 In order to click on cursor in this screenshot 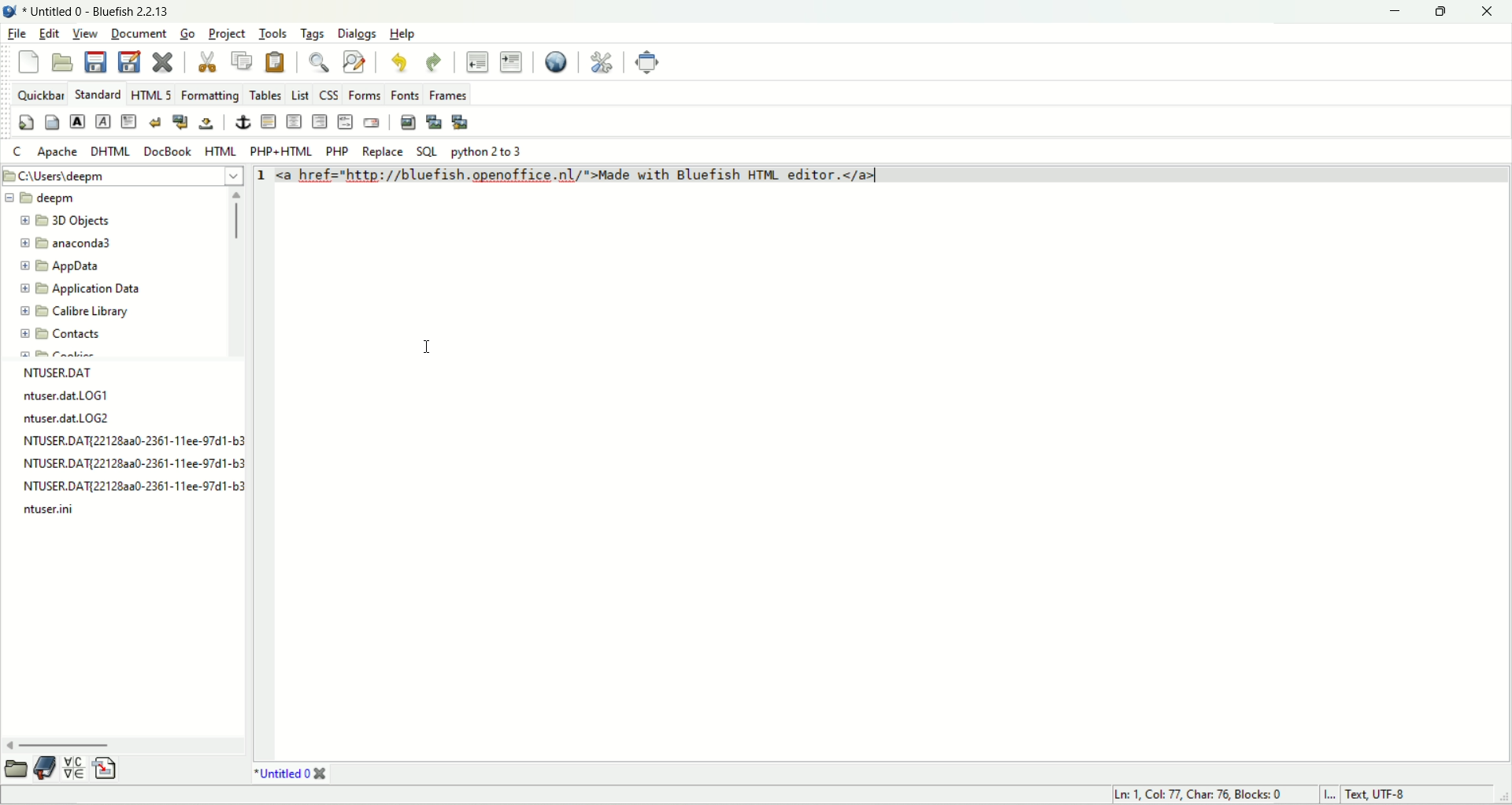, I will do `click(426, 345)`.